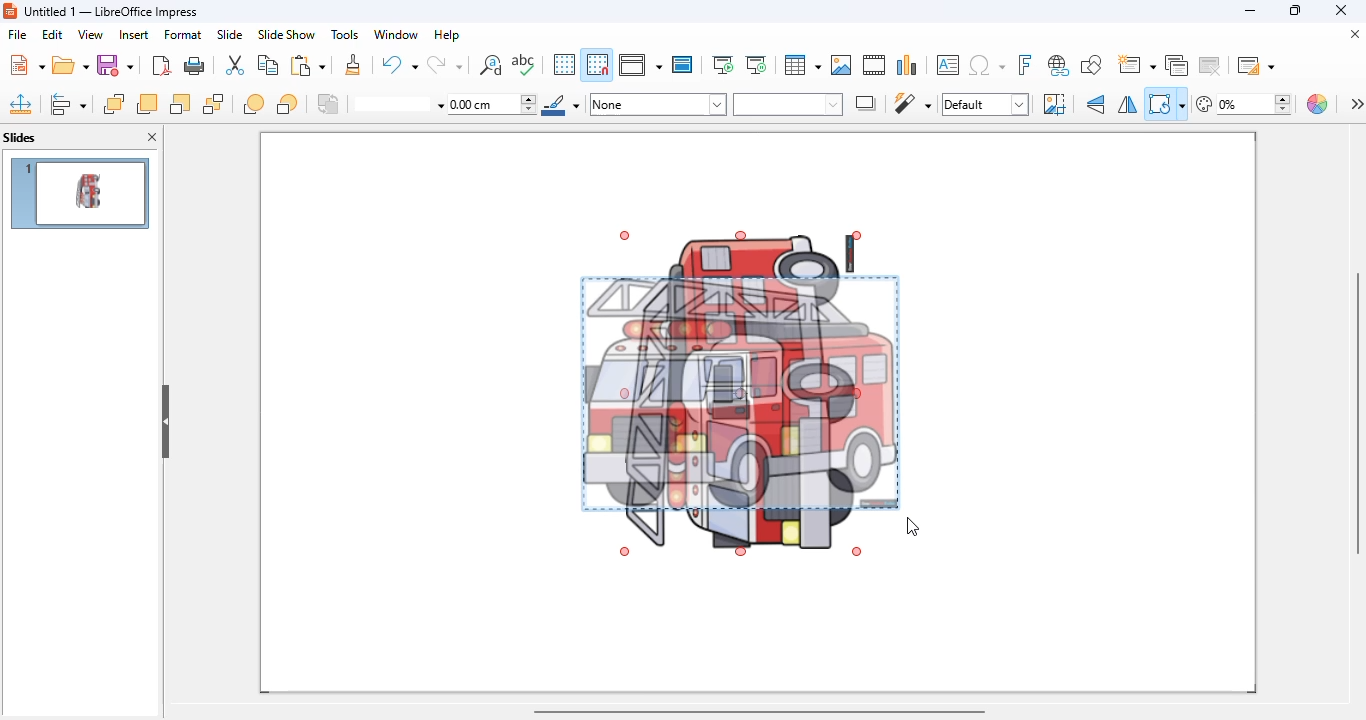 Image resolution: width=1366 pixels, height=720 pixels. I want to click on line style, so click(399, 105).